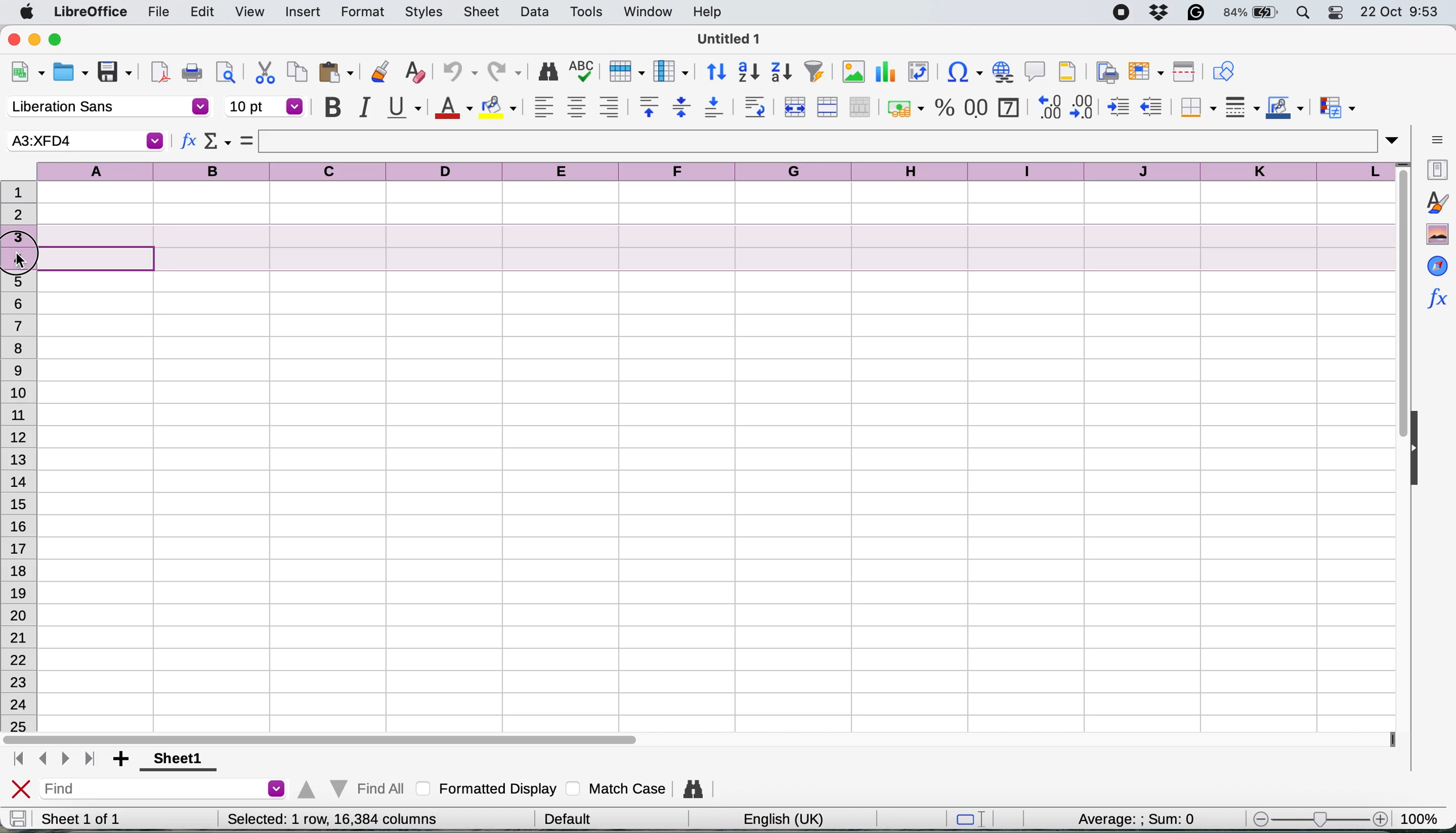 The image size is (1456, 833). Describe the element at coordinates (1336, 109) in the screenshot. I see `conditional` at that location.